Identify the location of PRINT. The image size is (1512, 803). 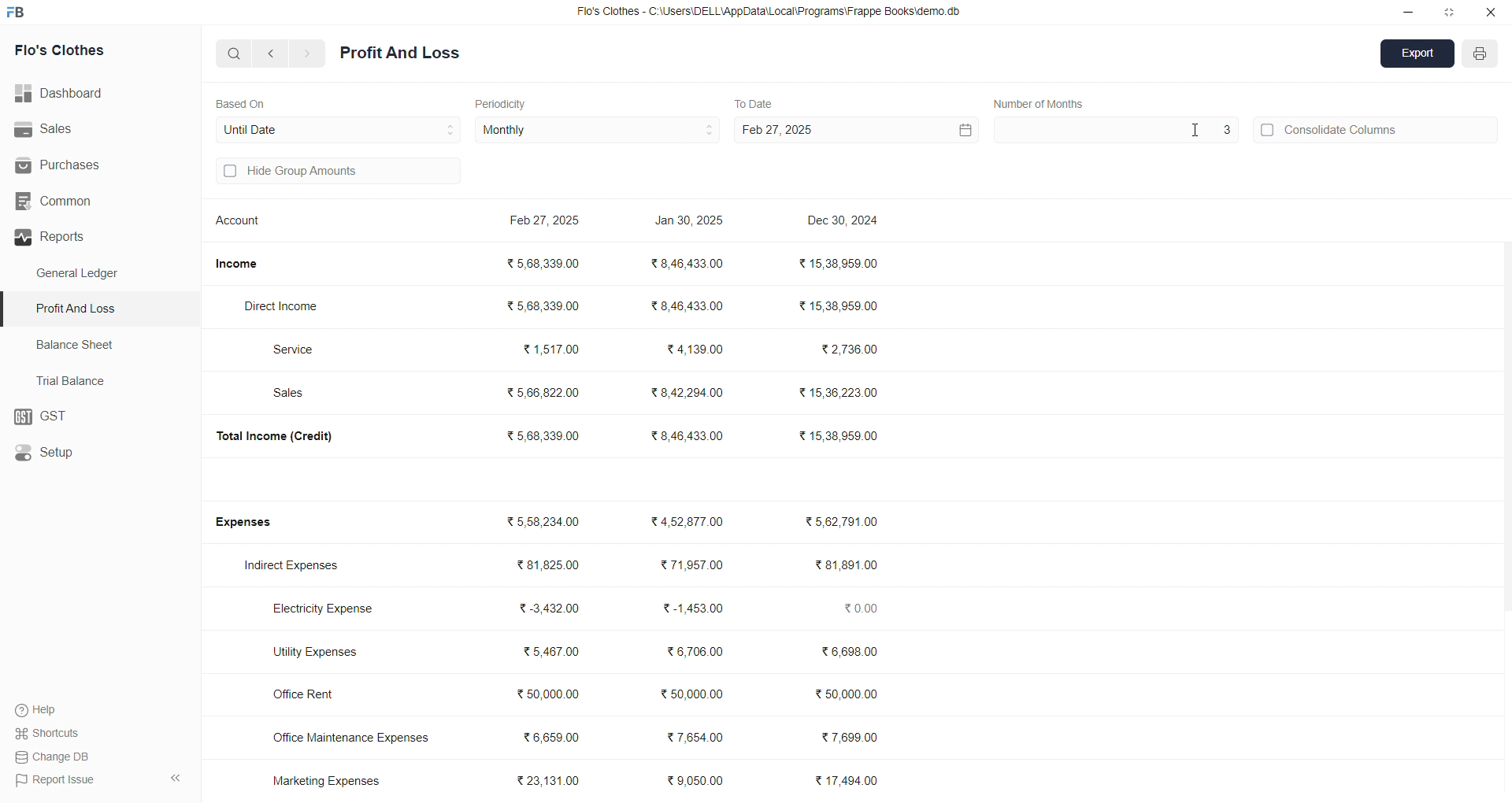
(1480, 56).